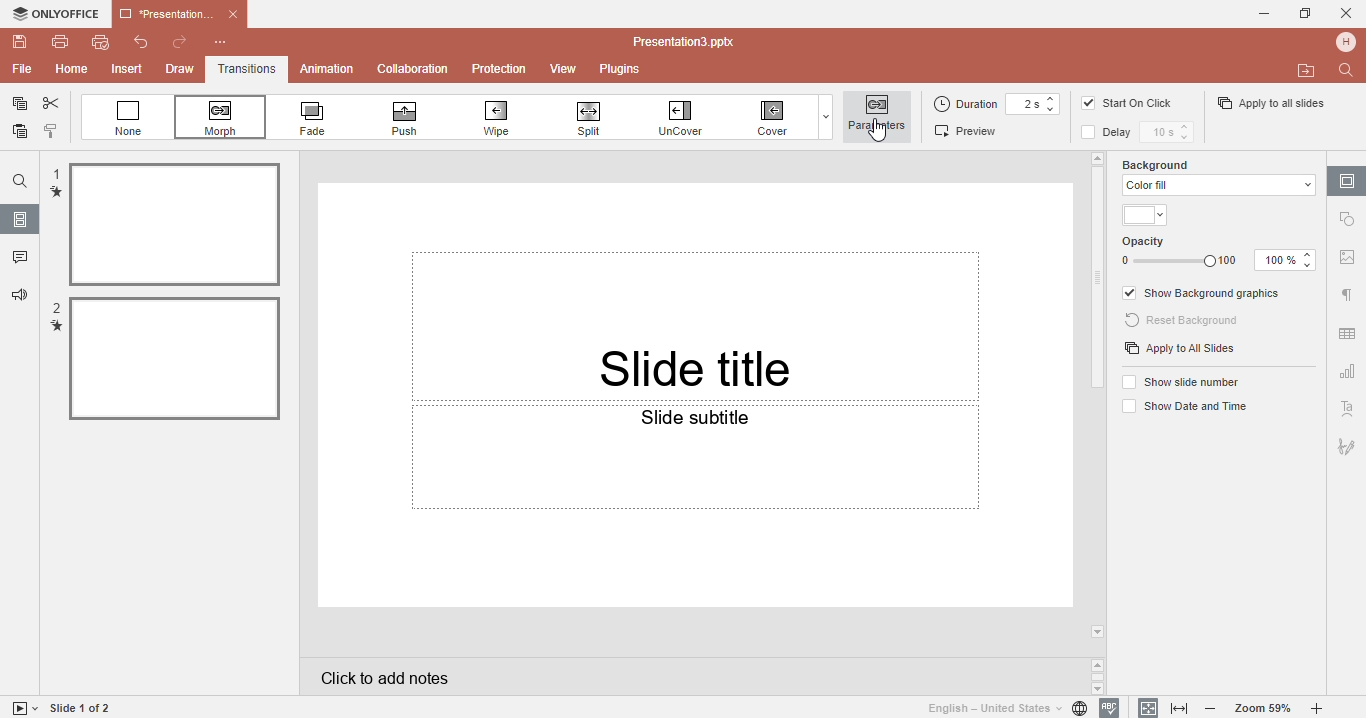  What do you see at coordinates (1215, 710) in the screenshot?
I see `Zoom out` at bounding box center [1215, 710].